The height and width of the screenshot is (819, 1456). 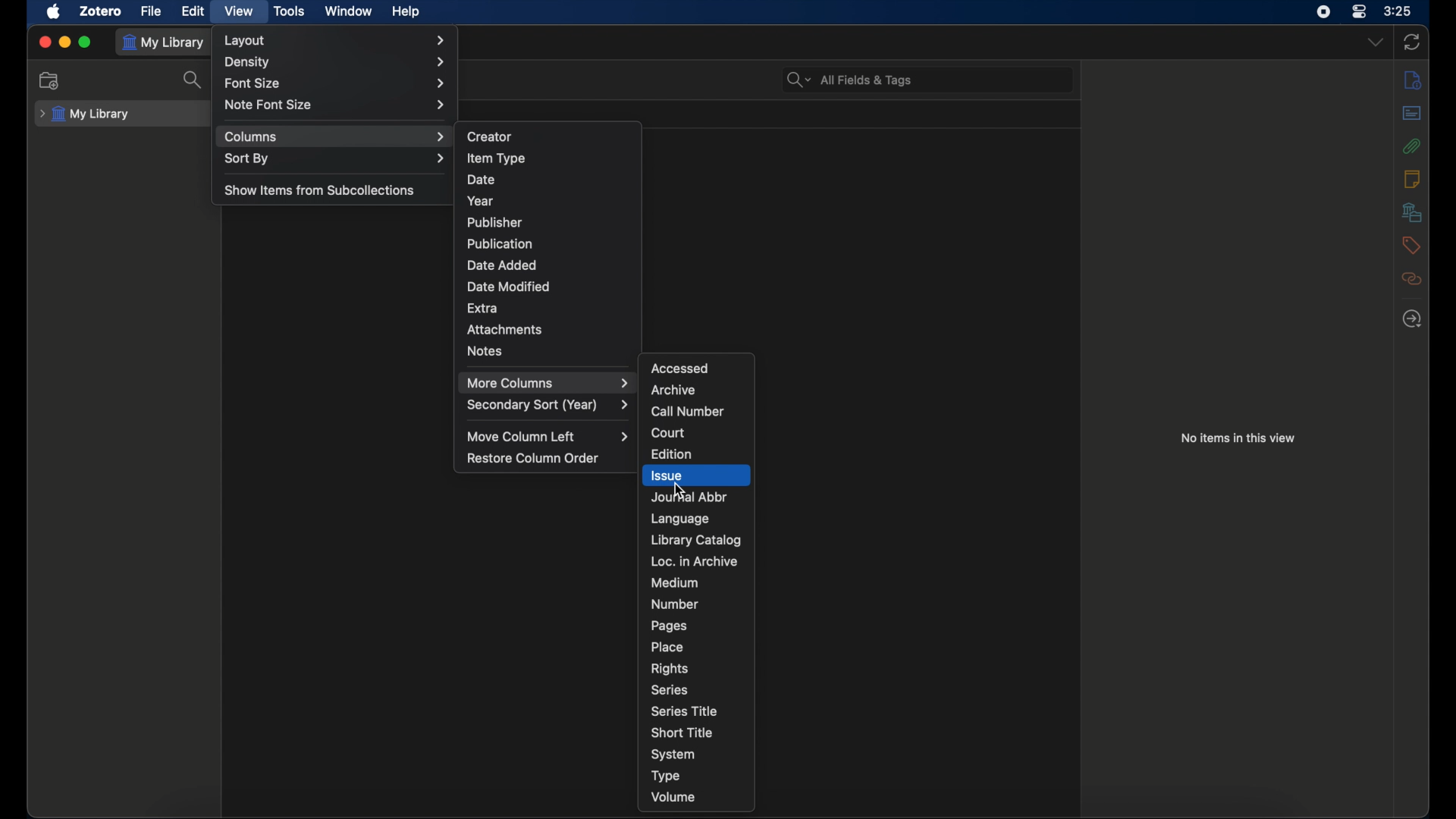 What do you see at coordinates (1410, 319) in the screenshot?
I see `locate` at bounding box center [1410, 319].